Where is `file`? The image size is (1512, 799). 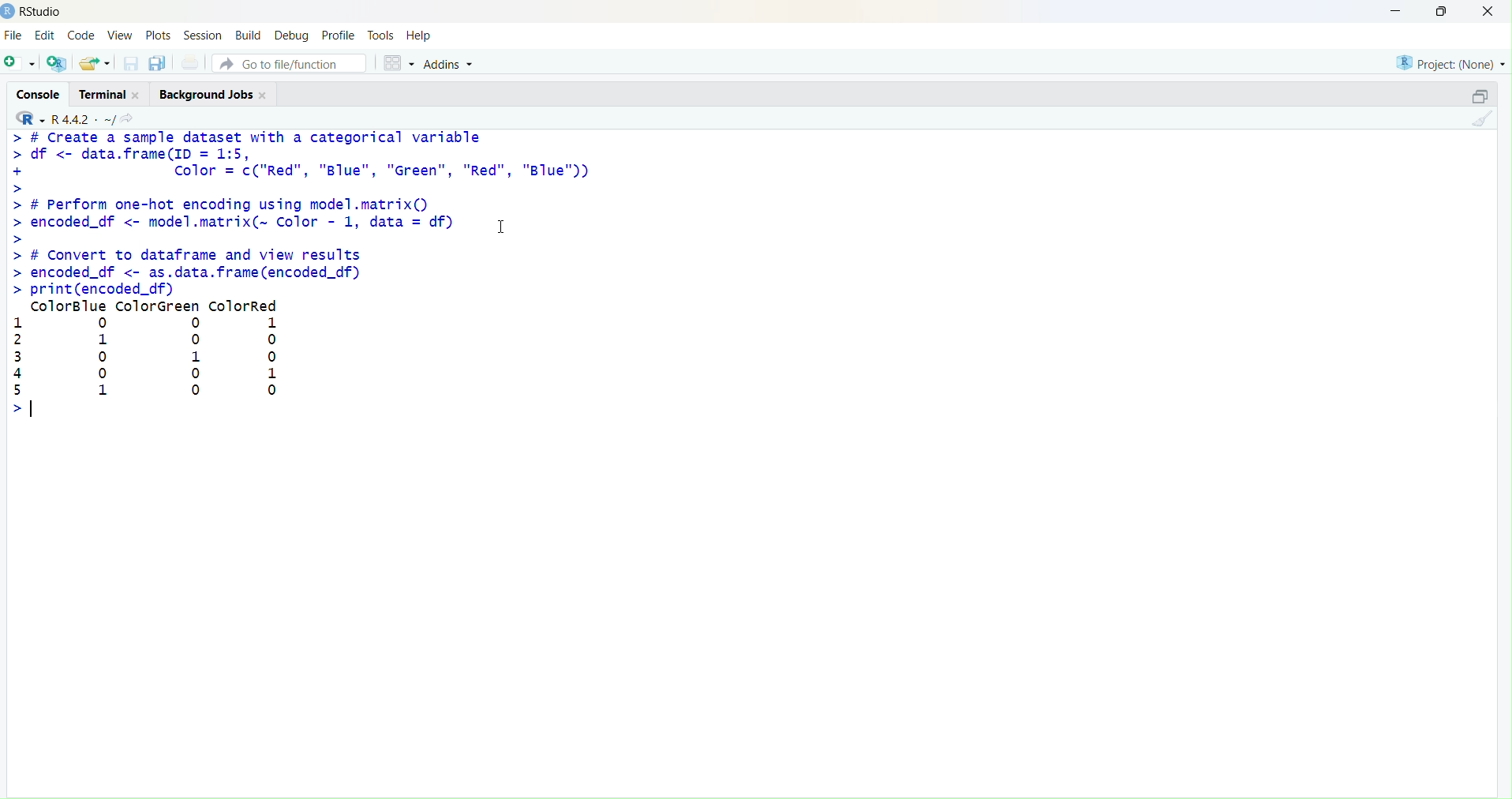 file is located at coordinates (13, 35).